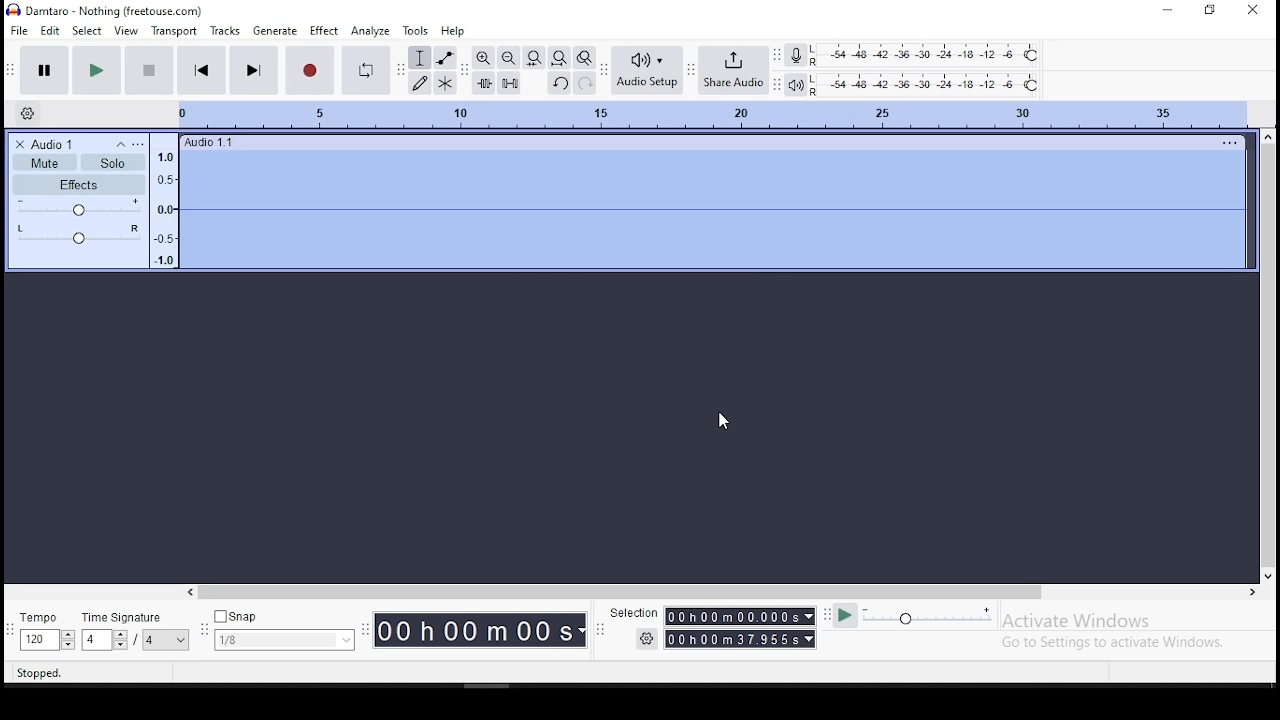 The image size is (1280, 720). What do you see at coordinates (925, 619) in the screenshot?
I see `playback speed` at bounding box center [925, 619].